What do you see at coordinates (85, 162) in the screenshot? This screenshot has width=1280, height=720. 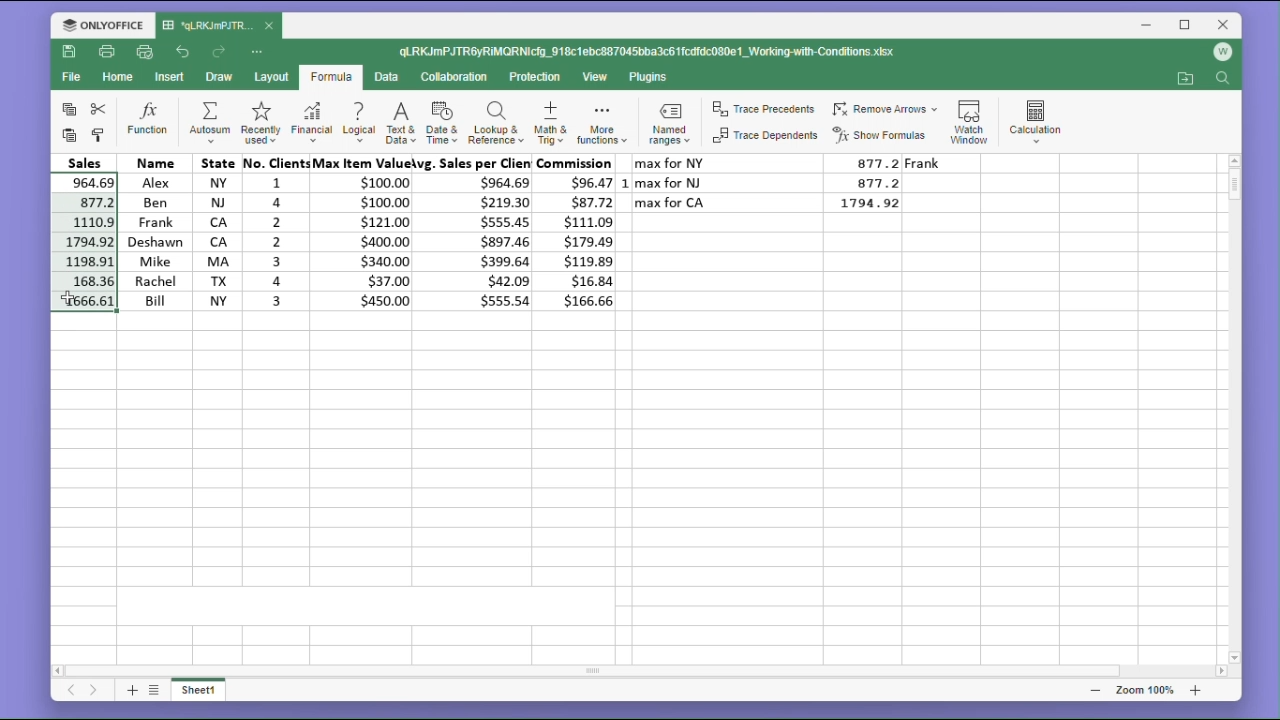 I see `Sales` at bounding box center [85, 162].